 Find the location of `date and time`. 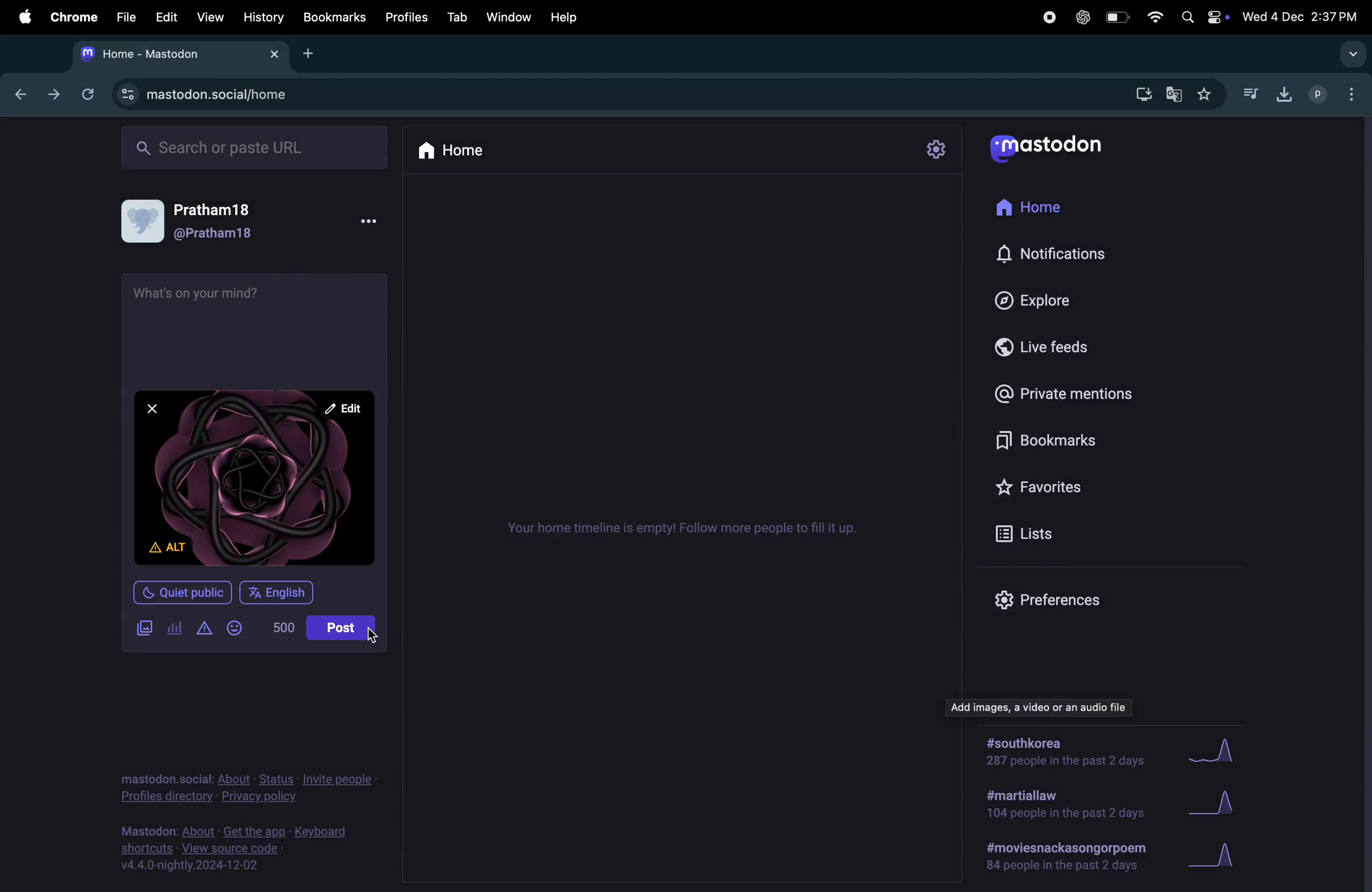

date and time is located at coordinates (1302, 14).